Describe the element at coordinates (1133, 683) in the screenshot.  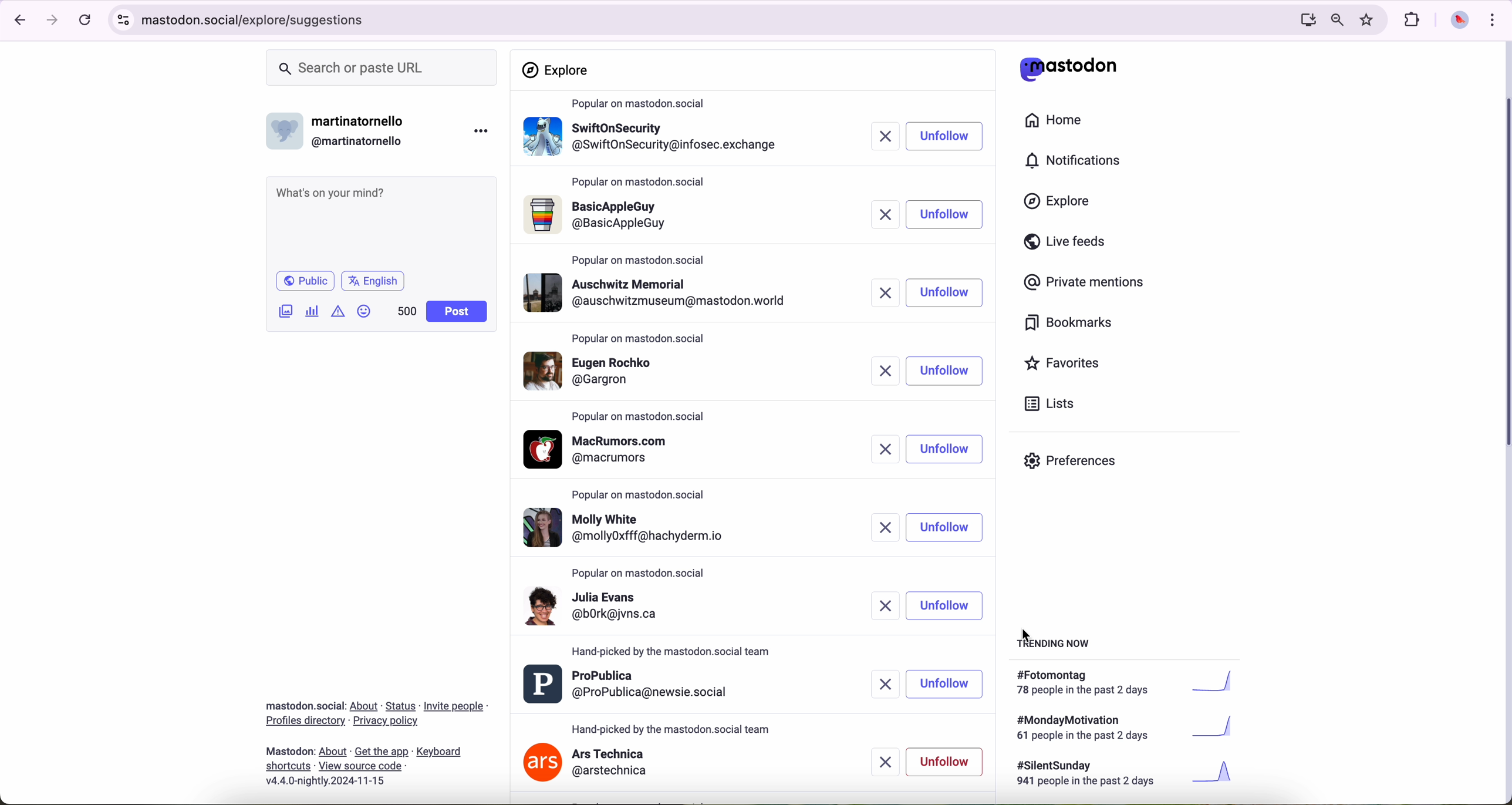
I see `#fotomontag` at that location.